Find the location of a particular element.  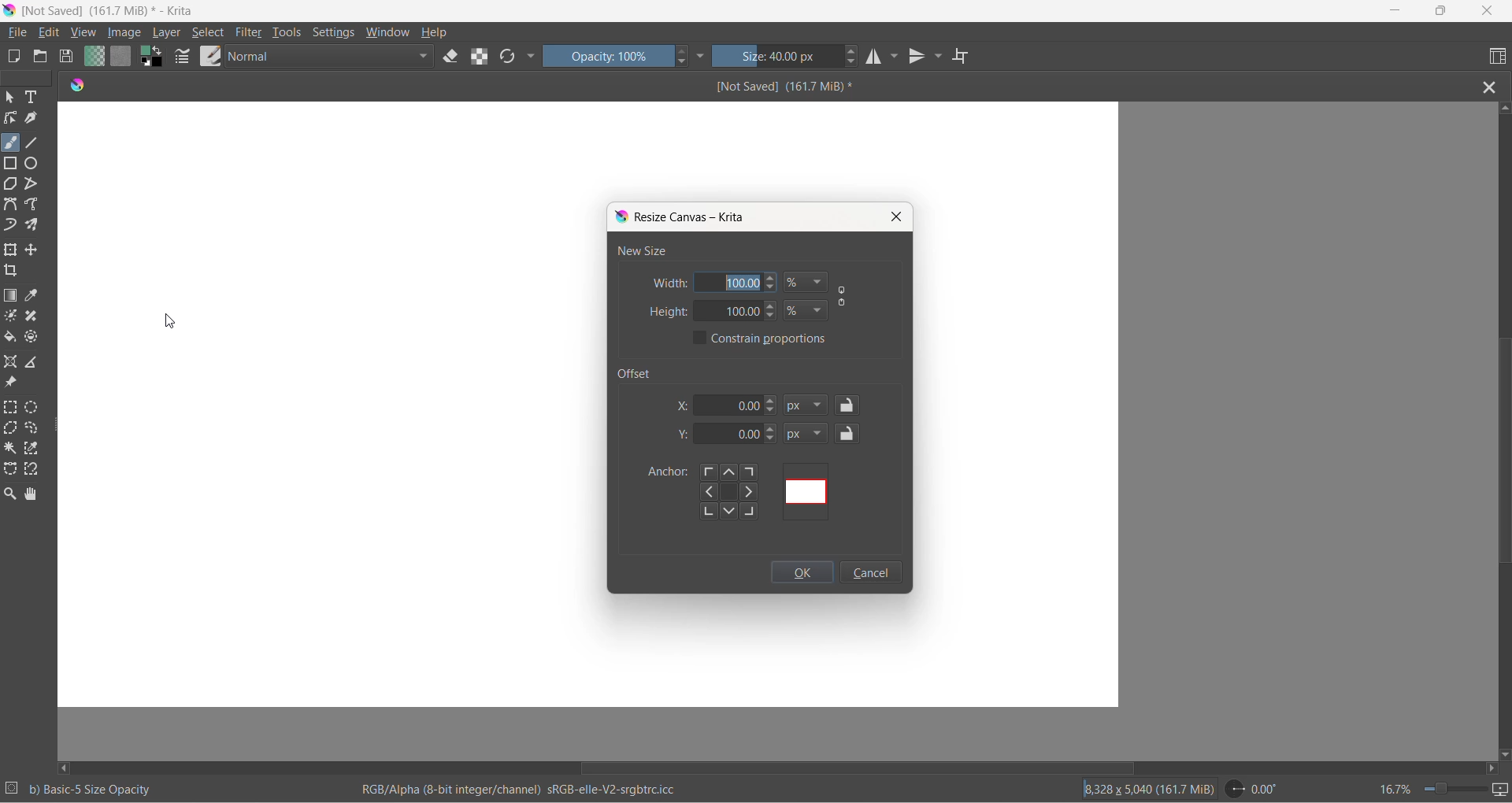

minimize is located at coordinates (1396, 12).